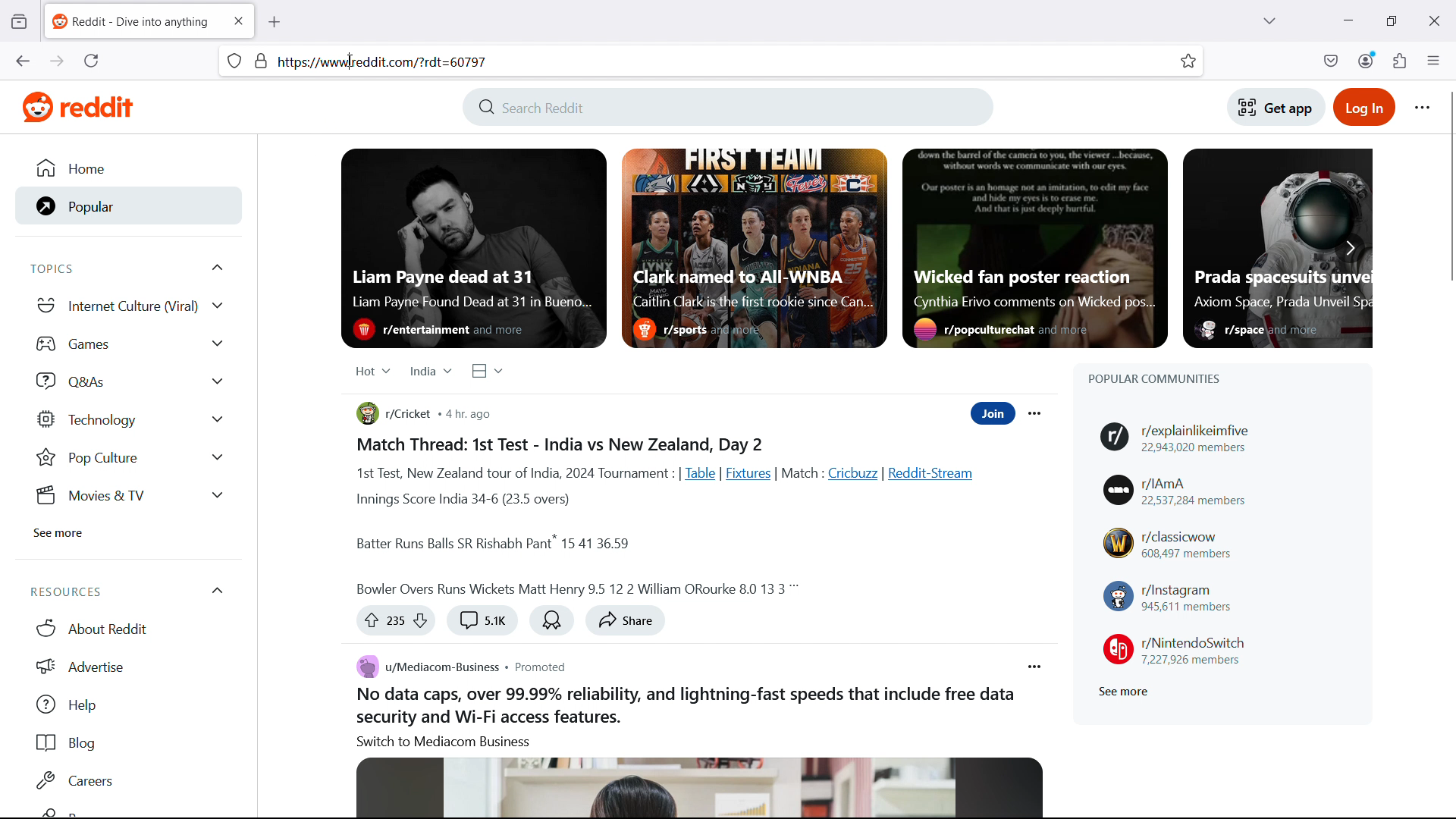  Describe the element at coordinates (1424, 108) in the screenshot. I see `Reddit options` at that location.